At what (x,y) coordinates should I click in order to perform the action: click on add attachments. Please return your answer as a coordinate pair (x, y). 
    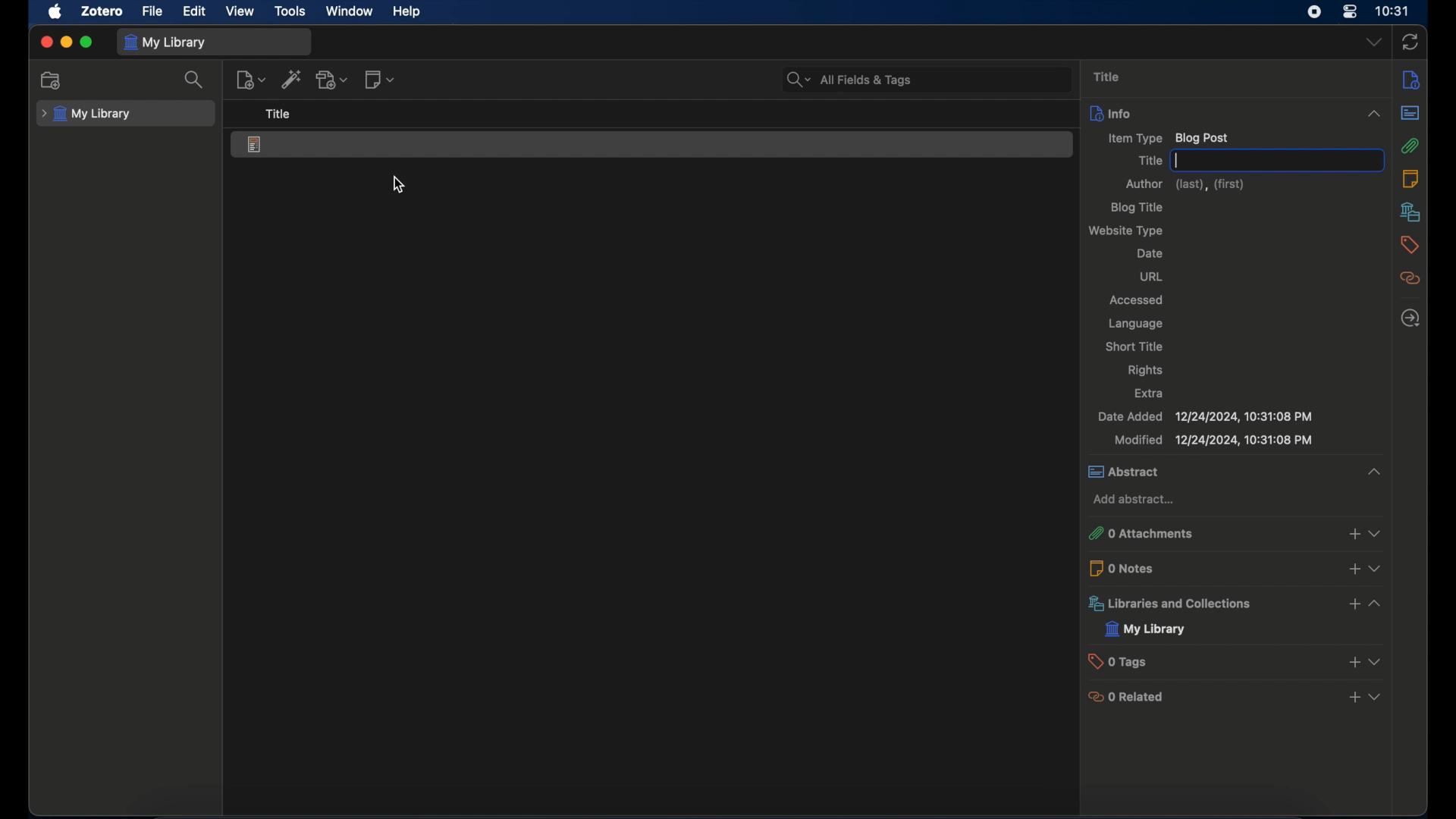
    Looking at the image, I should click on (333, 80).